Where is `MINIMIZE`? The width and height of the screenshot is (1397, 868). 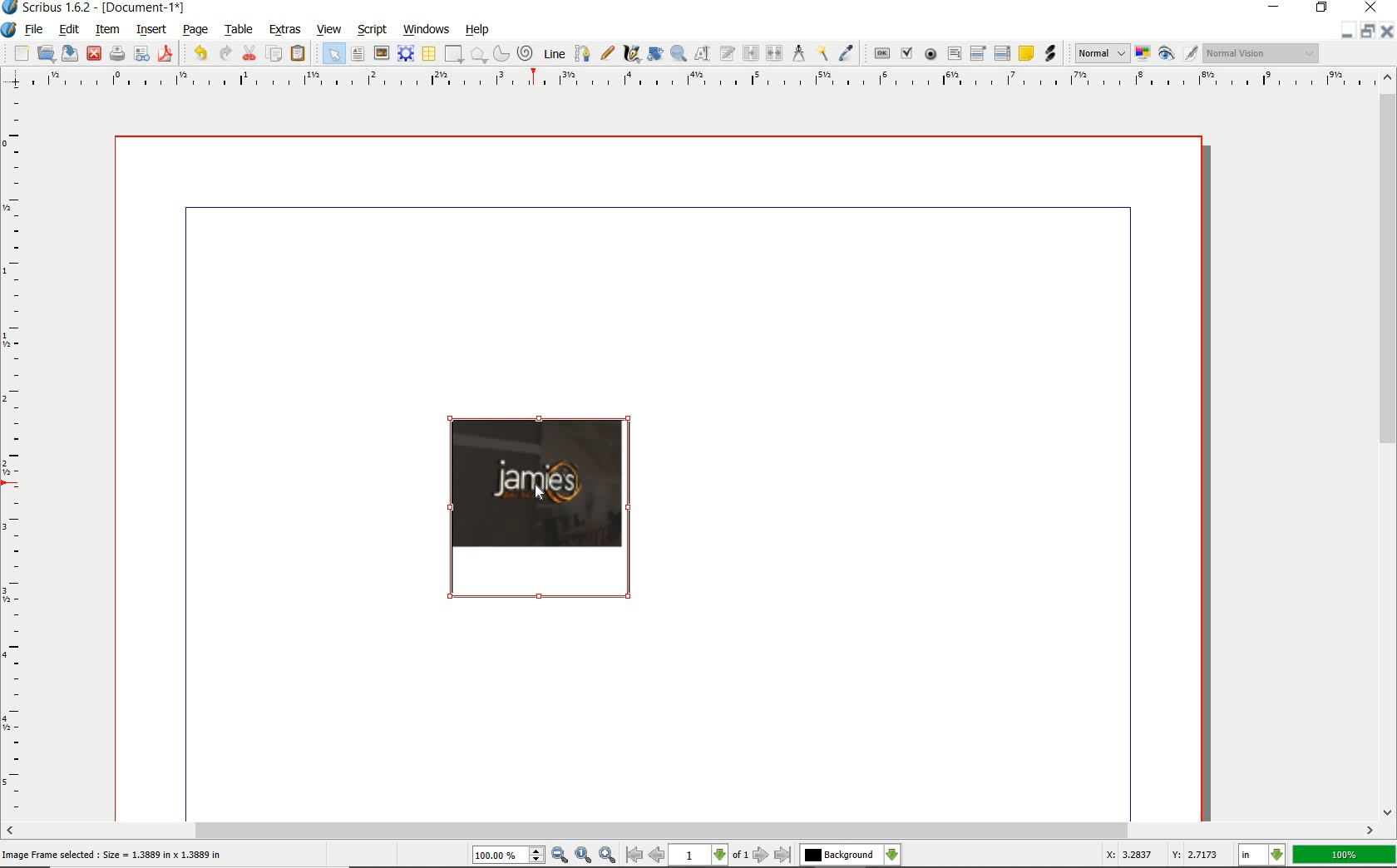
MINIMIZE is located at coordinates (1348, 32).